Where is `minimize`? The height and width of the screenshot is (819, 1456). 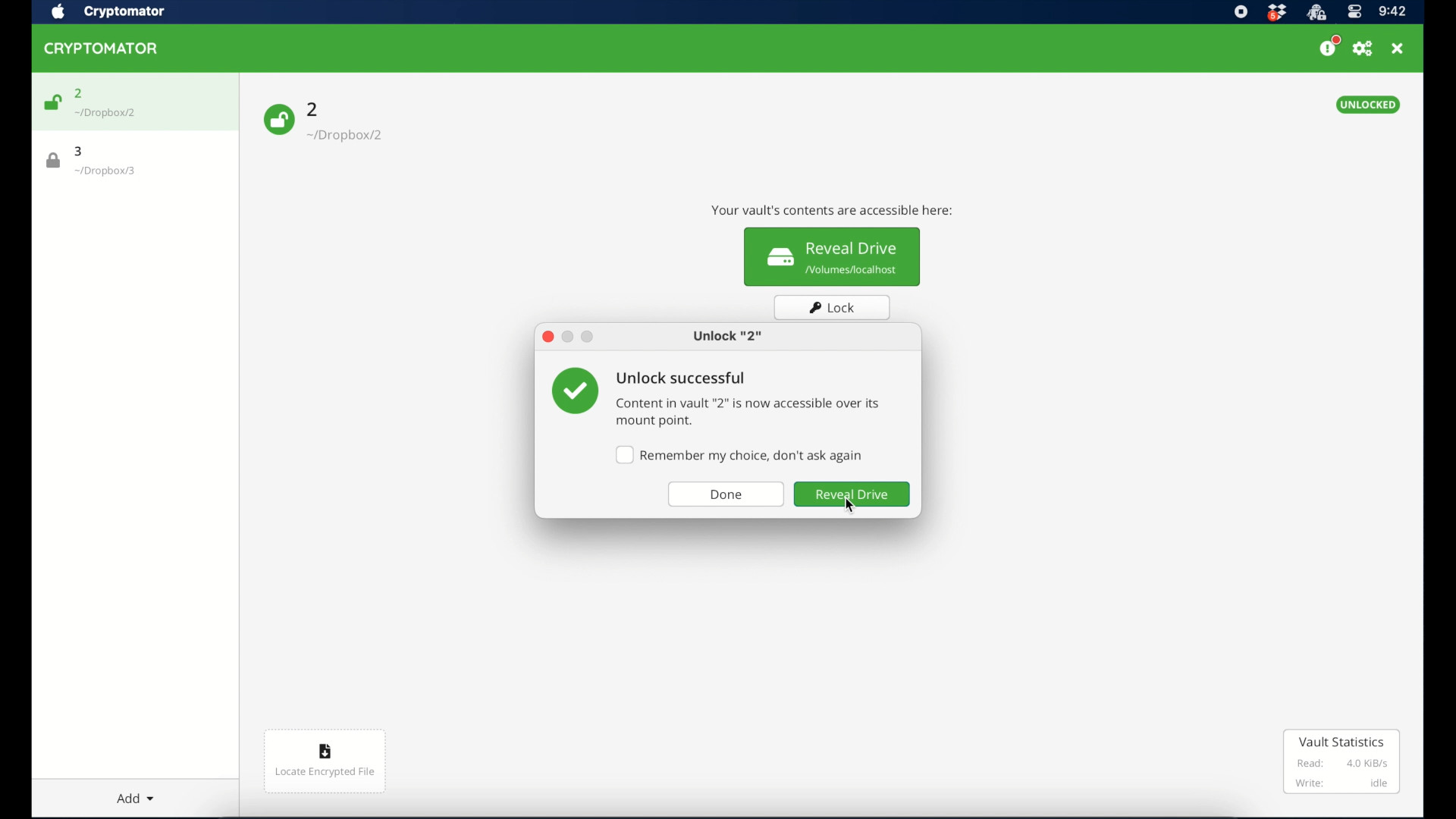 minimize is located at coordinates (568, 337).